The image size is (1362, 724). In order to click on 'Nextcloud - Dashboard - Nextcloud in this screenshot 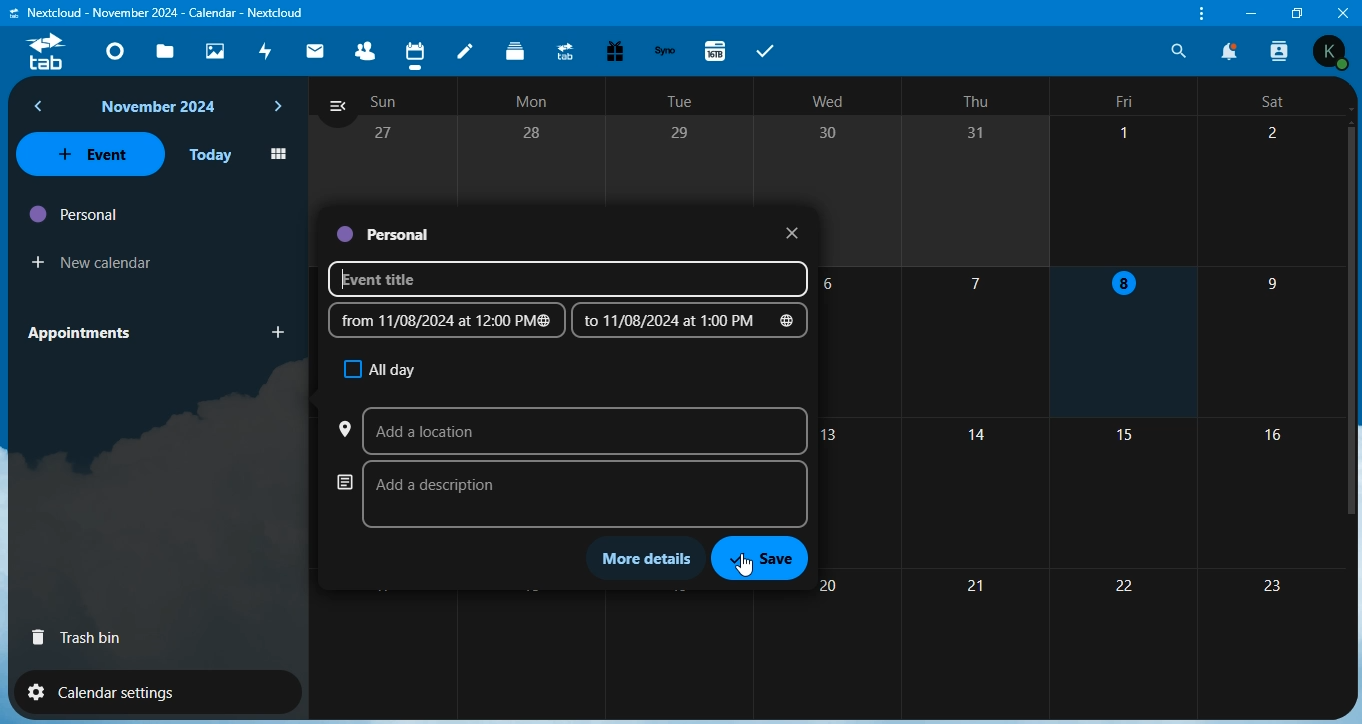, I will do `click(158, 11)`.